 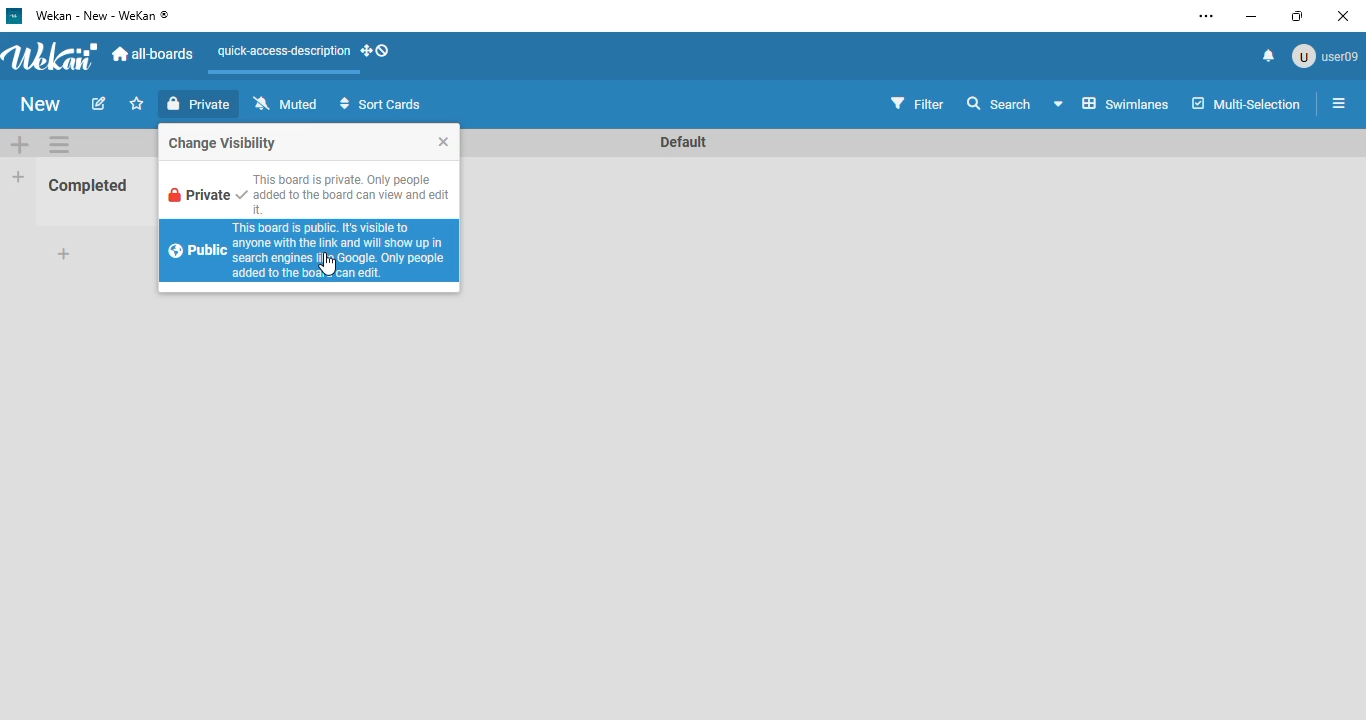 I want to click on all-boards, so click(x=155, y=55).